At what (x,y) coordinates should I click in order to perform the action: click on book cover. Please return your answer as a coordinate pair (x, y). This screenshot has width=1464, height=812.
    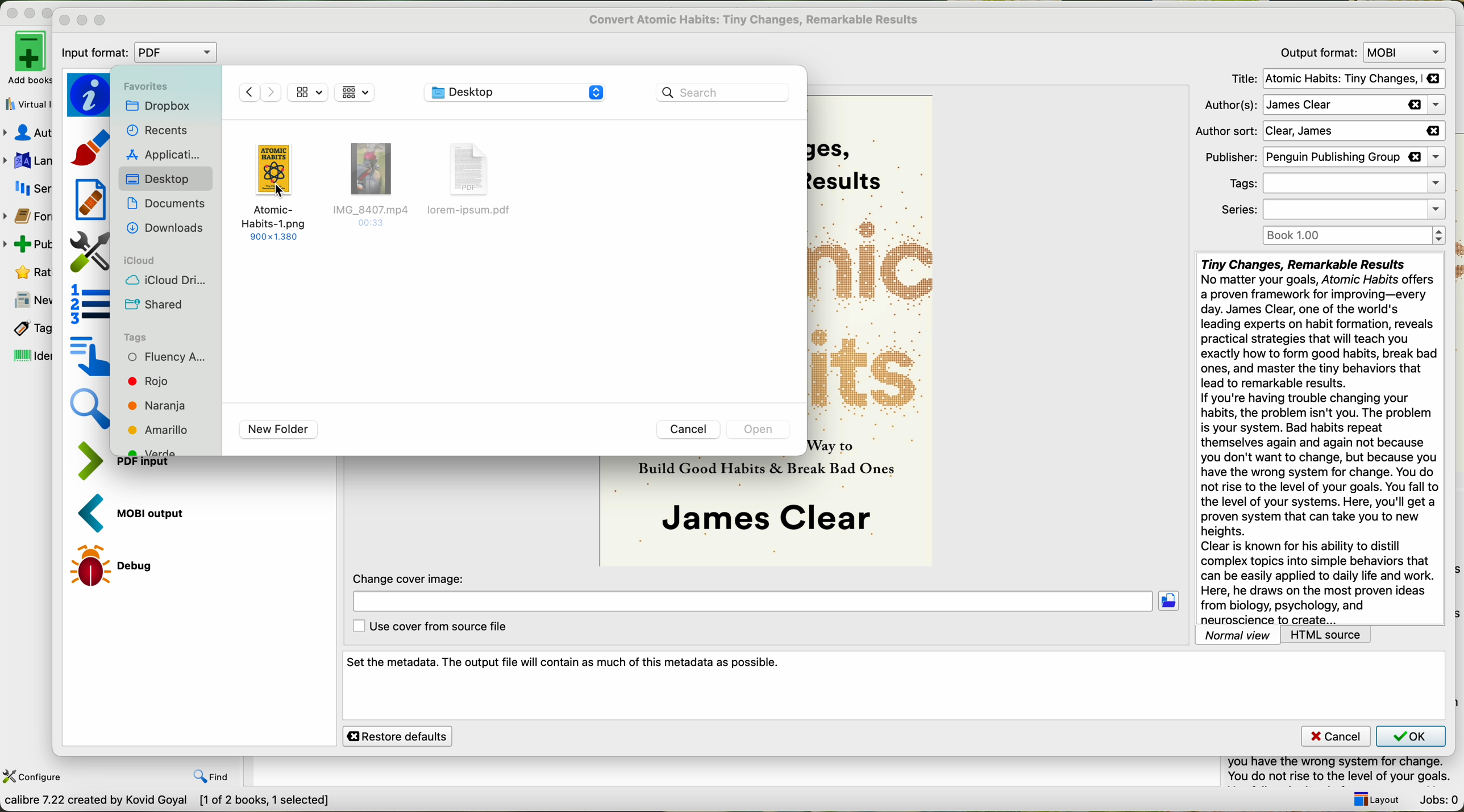
    Looking at the image, I should click on (872, 332).